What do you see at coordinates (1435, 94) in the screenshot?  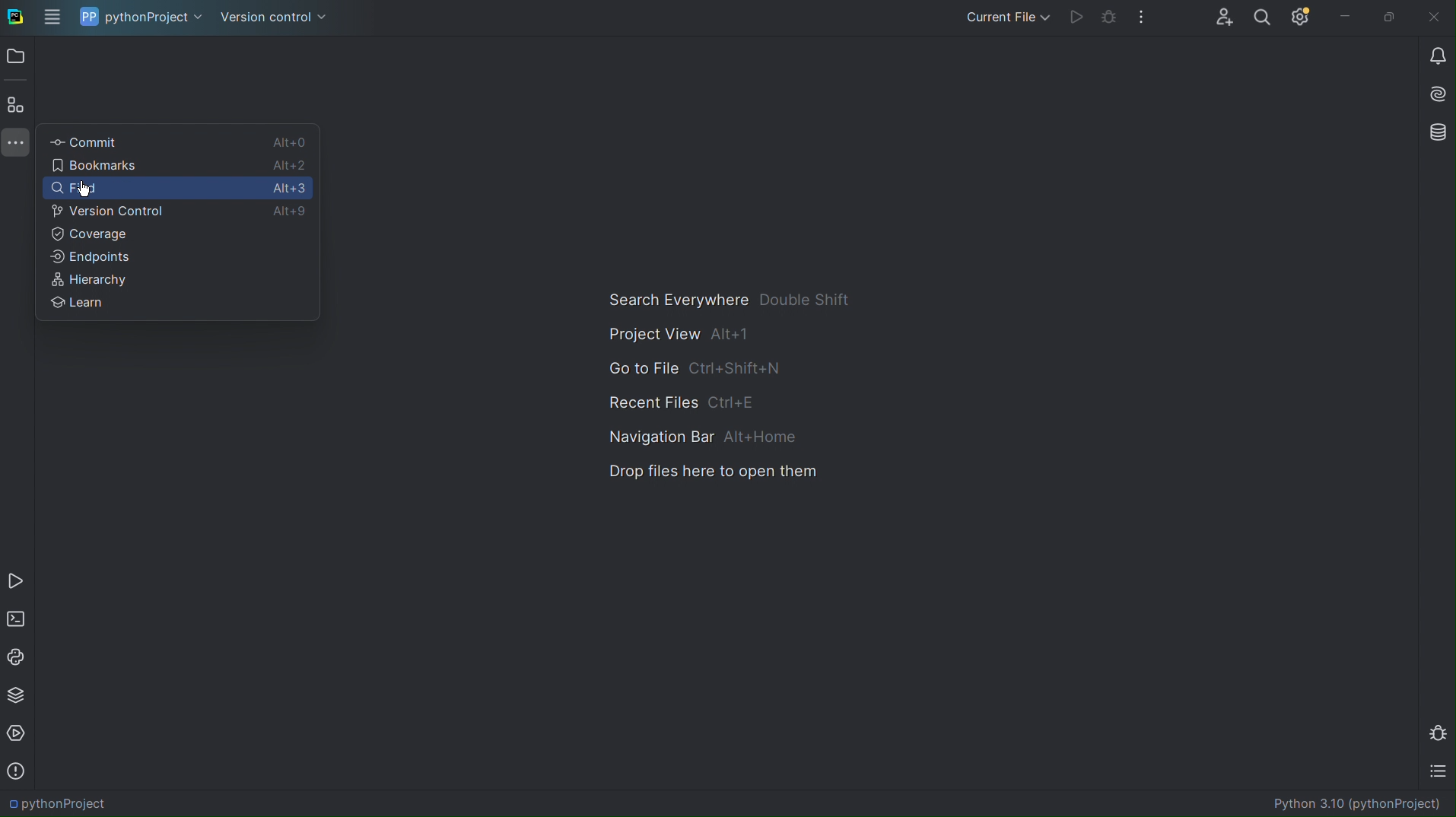 I see `AI Assistant` at bounding box center [1435, 94].